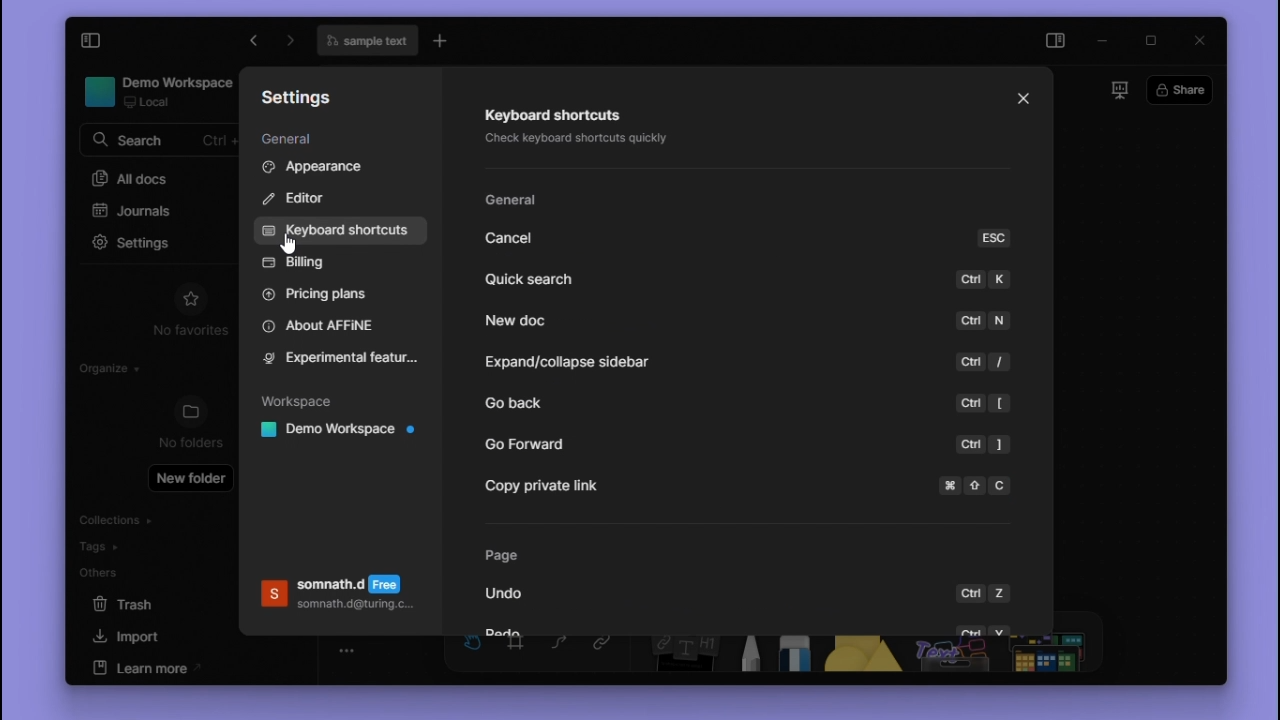 The height and width of the screenshot is (720, 1280). Describe the element at coordinates (982, 628) in the screenshot. I see `Ctrl Y` at that location.